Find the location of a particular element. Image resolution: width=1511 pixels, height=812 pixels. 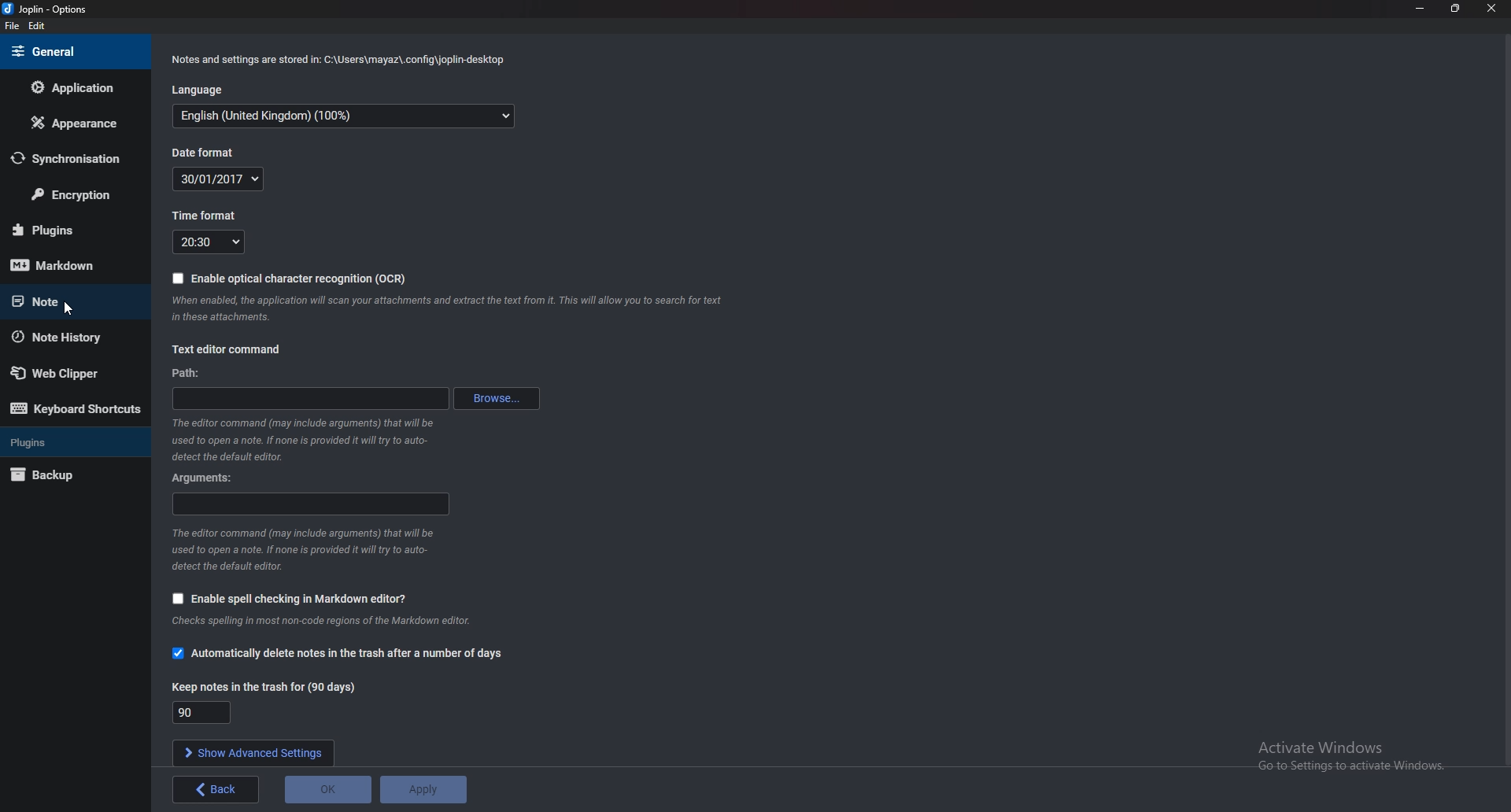

Resize is located at coordinates (1453, 9).